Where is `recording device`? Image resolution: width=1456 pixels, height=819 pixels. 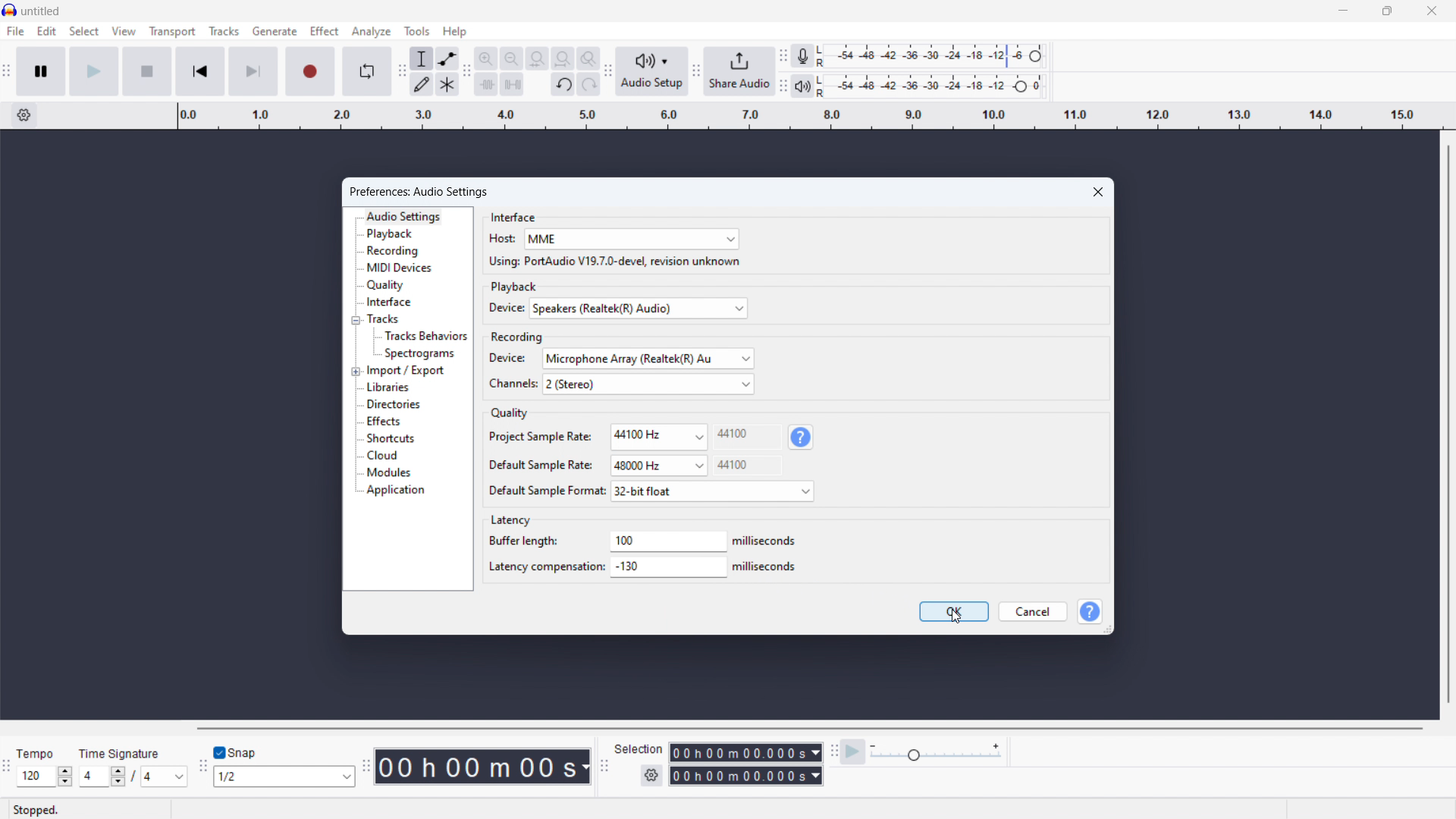
recording device is located at coordinates (648, 359).